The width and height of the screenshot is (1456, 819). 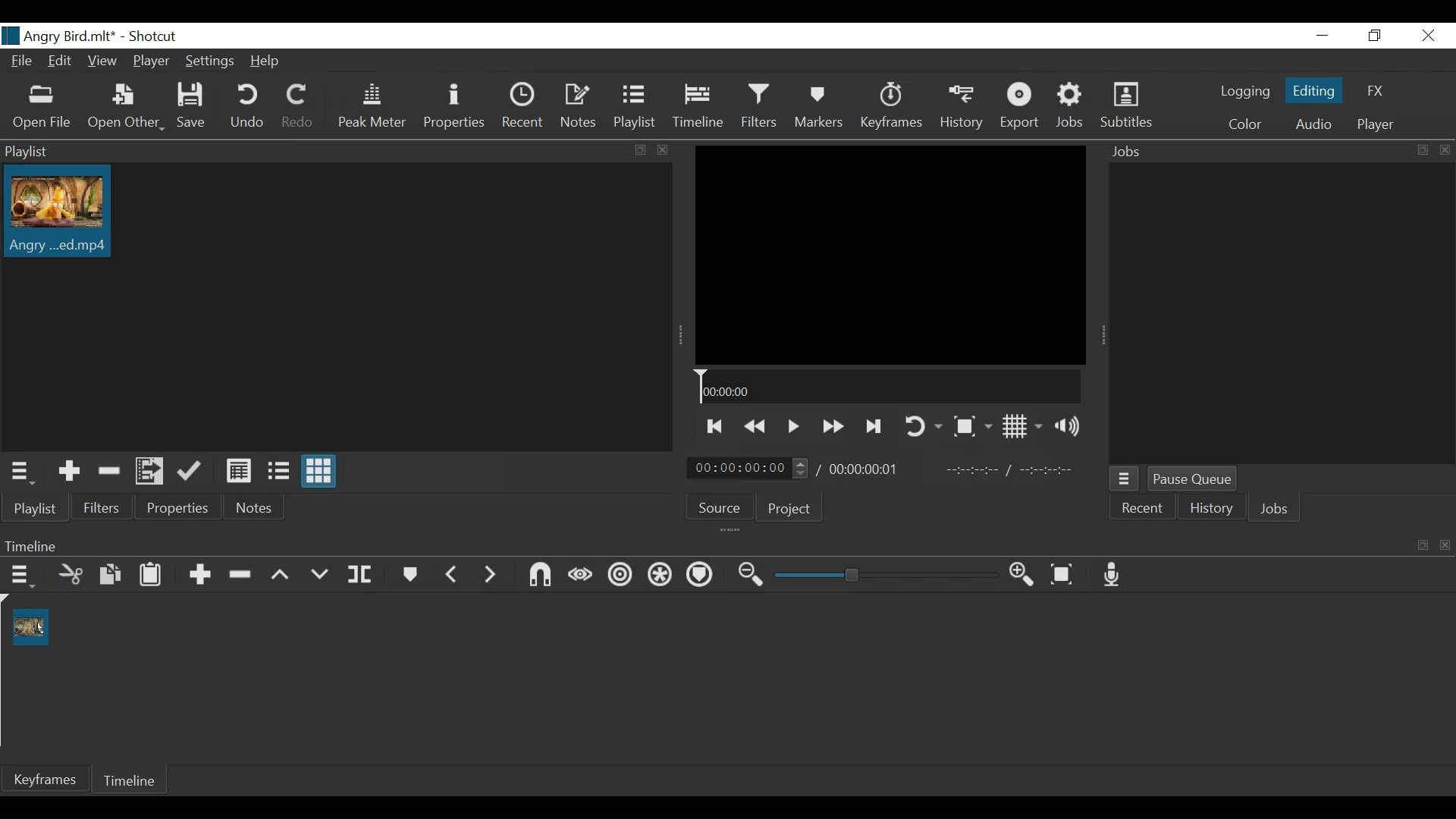 What do you see at coordinates (158, 36) in the screenshot?
I see `Shotcut` at bounding box center [158, 36].